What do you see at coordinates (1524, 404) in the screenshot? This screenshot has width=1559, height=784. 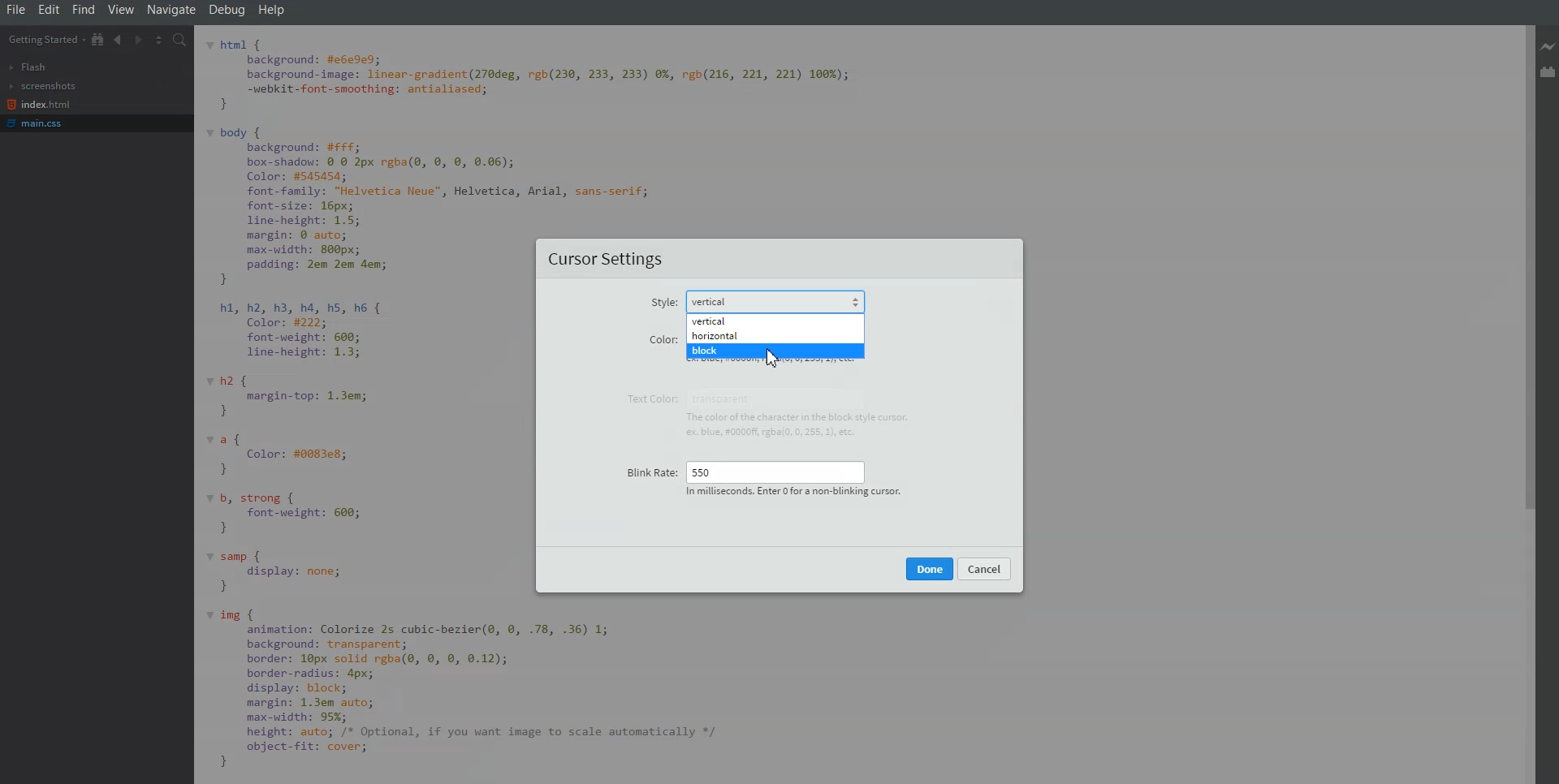 I see `Vertical Scroll bar` at bounding box center [1524, 404].